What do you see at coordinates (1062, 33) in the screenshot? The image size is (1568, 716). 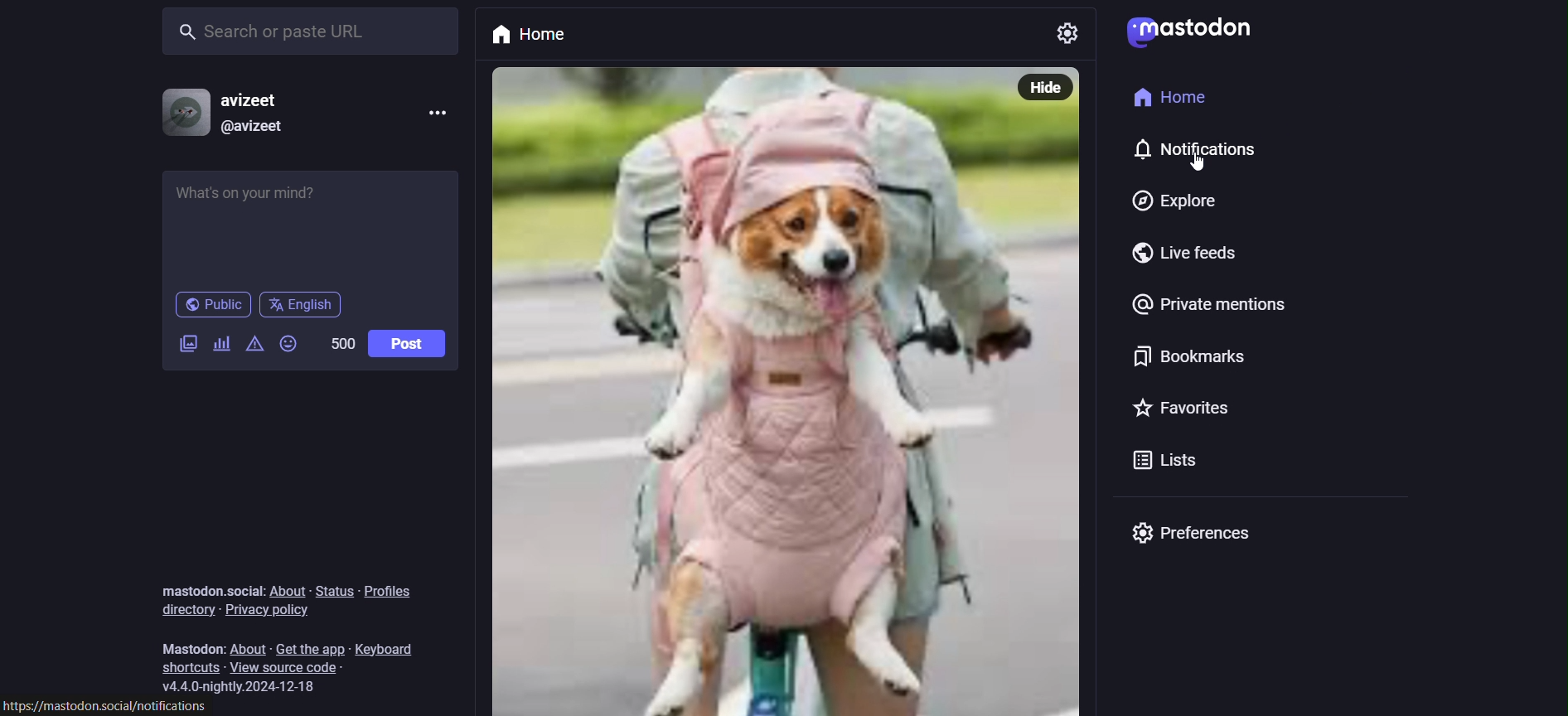 I see `setting` at bounding box center [1062, 33].